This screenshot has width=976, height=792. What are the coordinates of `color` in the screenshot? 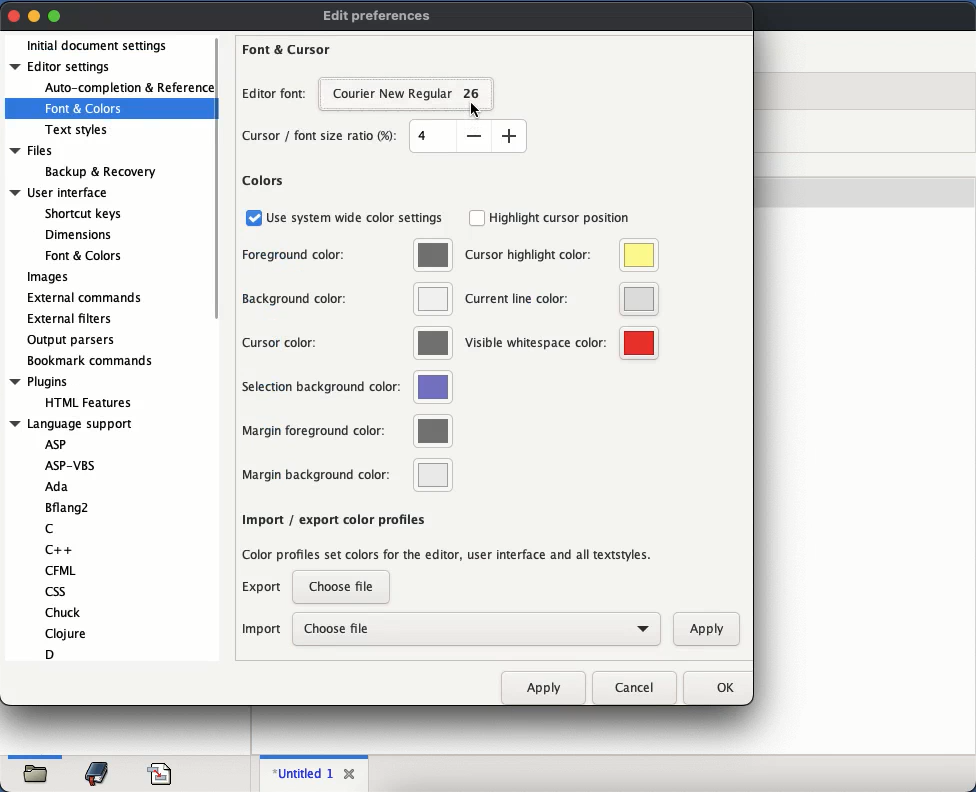 It's located at (639, 299).